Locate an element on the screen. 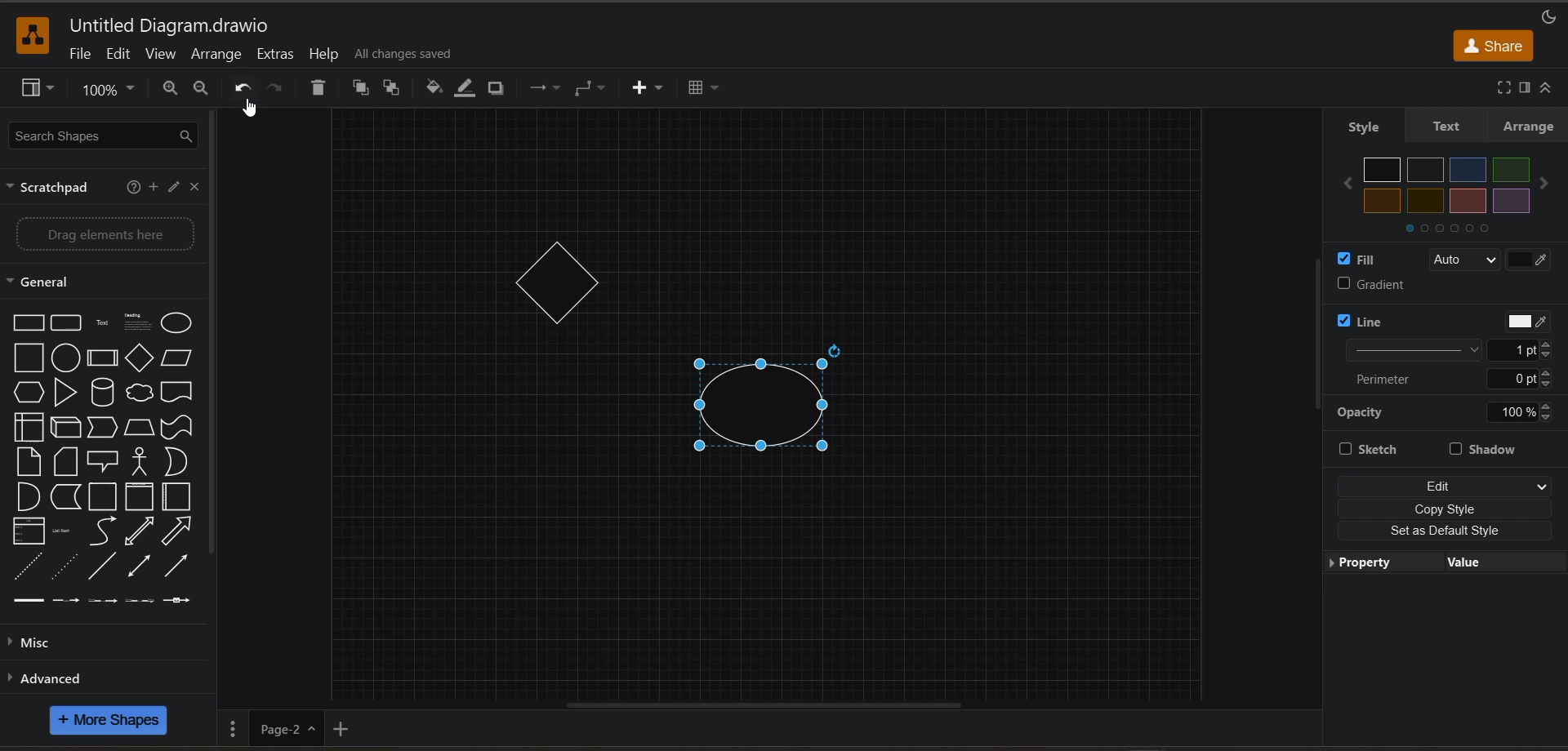 Image resolution: width=1568 pixels, height=751 pixels. Data Storage is located at coordinates (65, 497).